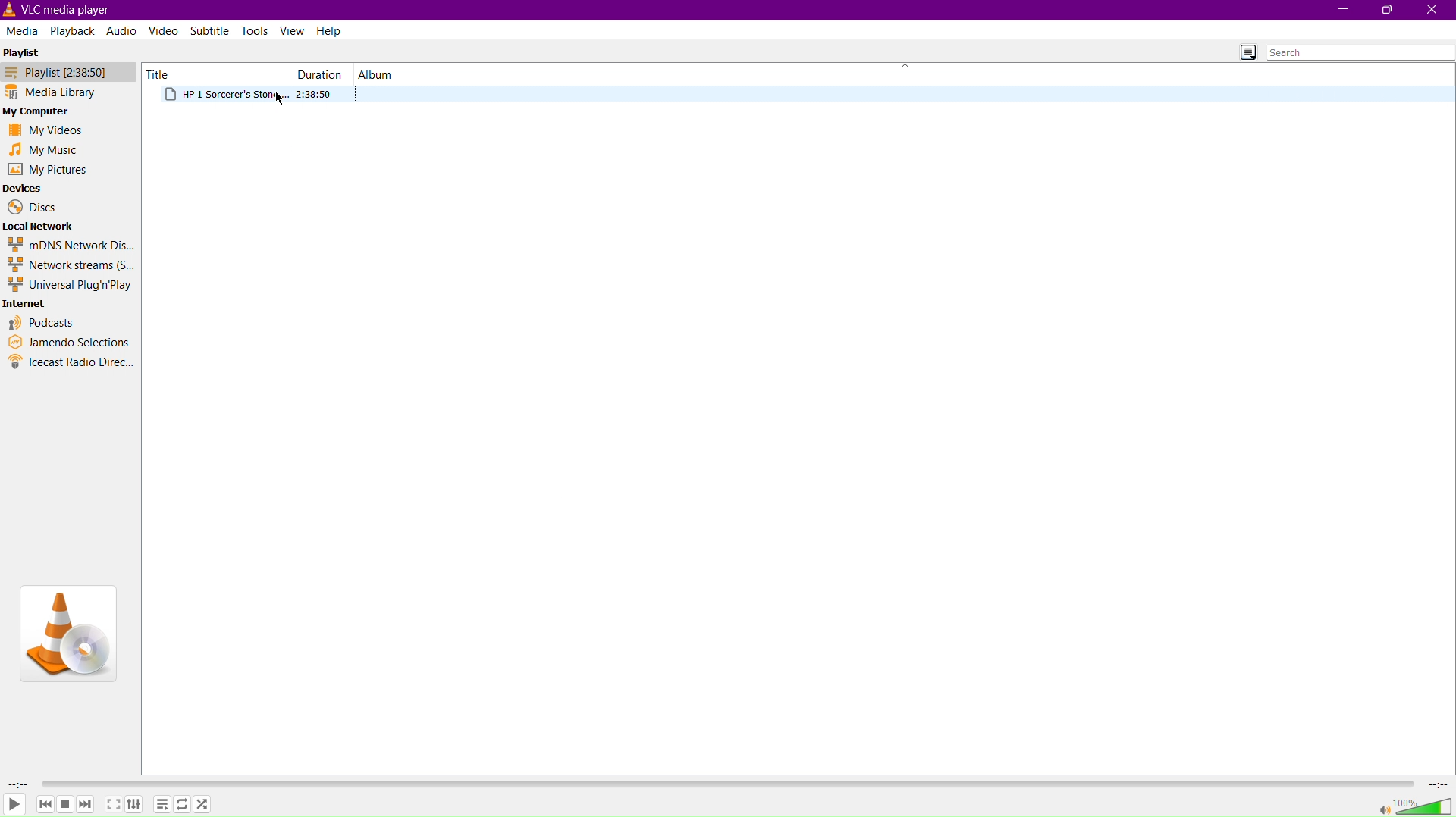 Image resolution: width=1456 pixels, height=817 pixels. Describe the element at coordinates (121, 32) in the screenshot. I see `Audio` at that location.